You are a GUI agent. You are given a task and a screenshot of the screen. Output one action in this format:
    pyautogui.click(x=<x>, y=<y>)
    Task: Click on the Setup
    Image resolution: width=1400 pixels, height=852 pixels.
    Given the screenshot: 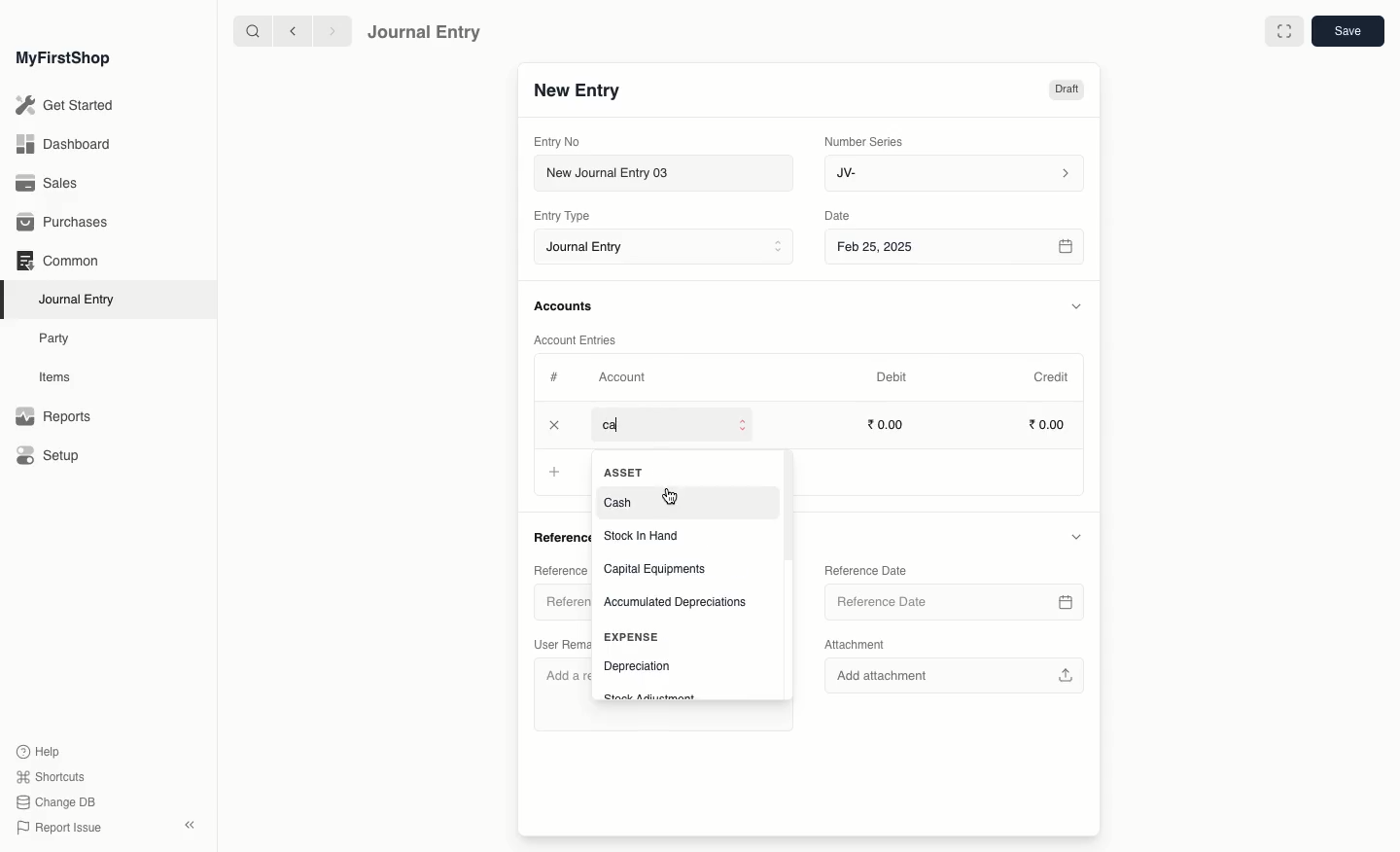 What is the action you would take?
    pyautogui.click(x=50, y=457)
    